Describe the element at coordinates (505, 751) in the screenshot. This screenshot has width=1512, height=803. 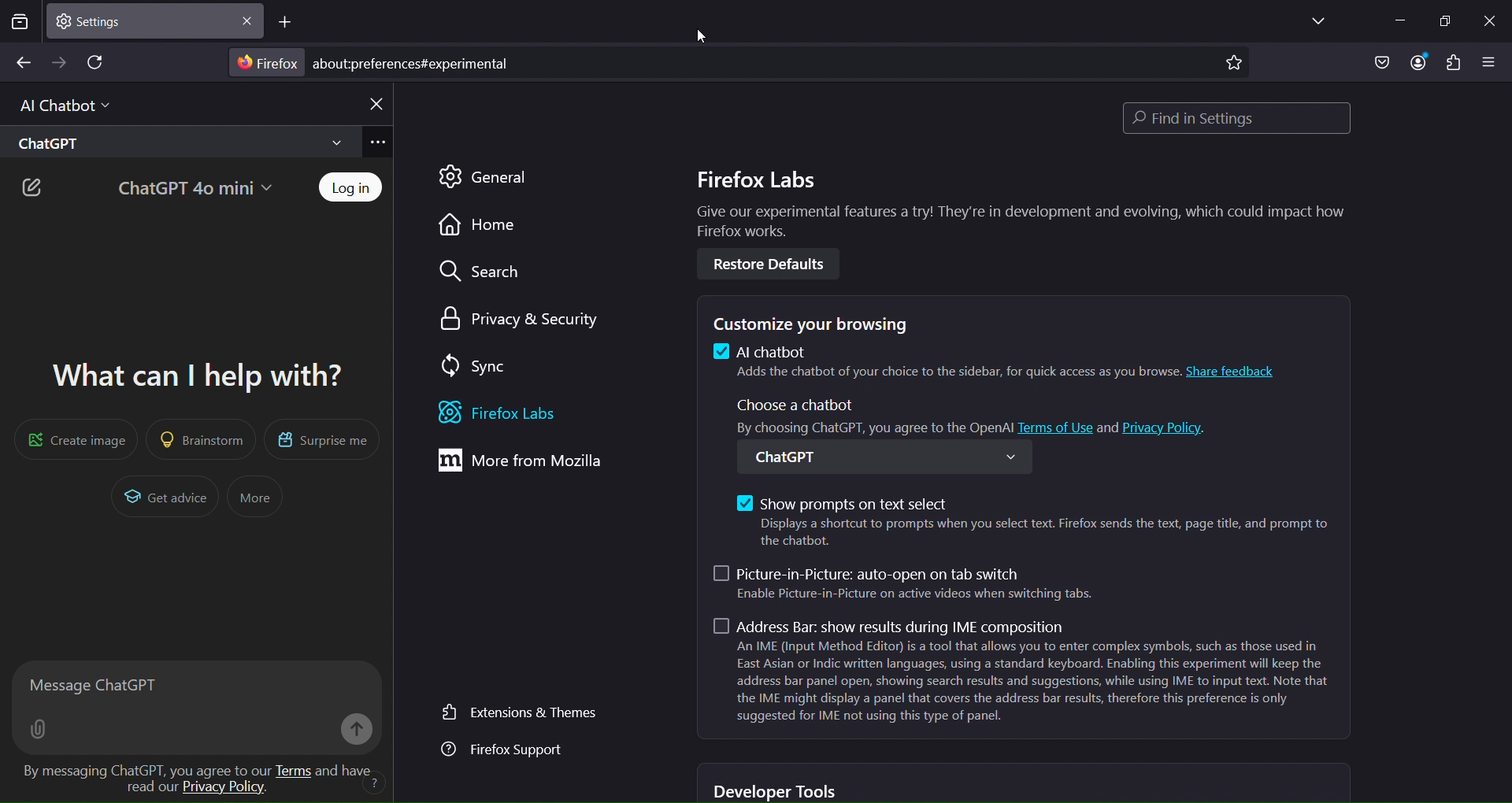
I see `firefox support` at that location.